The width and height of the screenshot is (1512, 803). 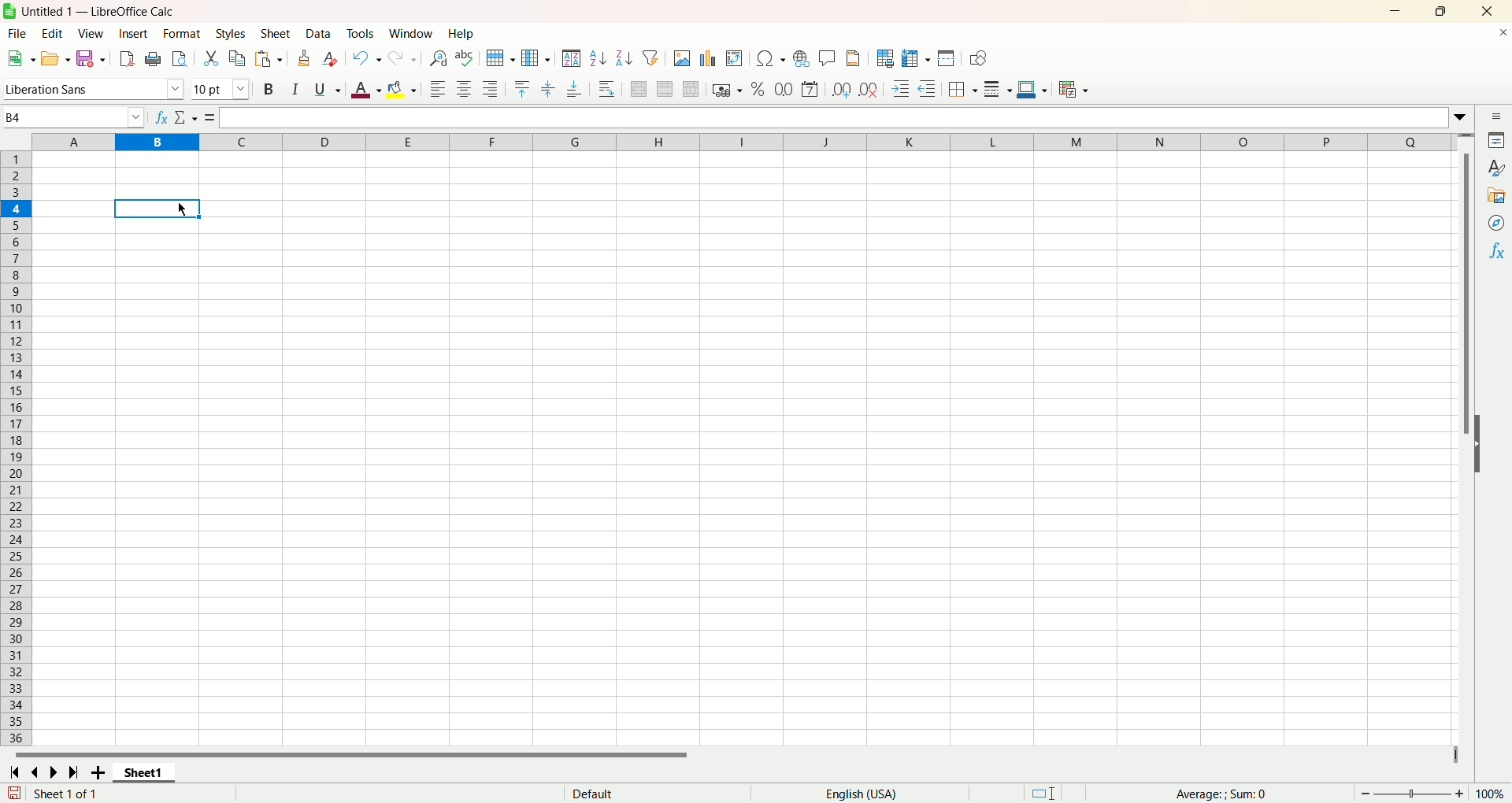 I want to click on italics, so click(x=292, y=90).